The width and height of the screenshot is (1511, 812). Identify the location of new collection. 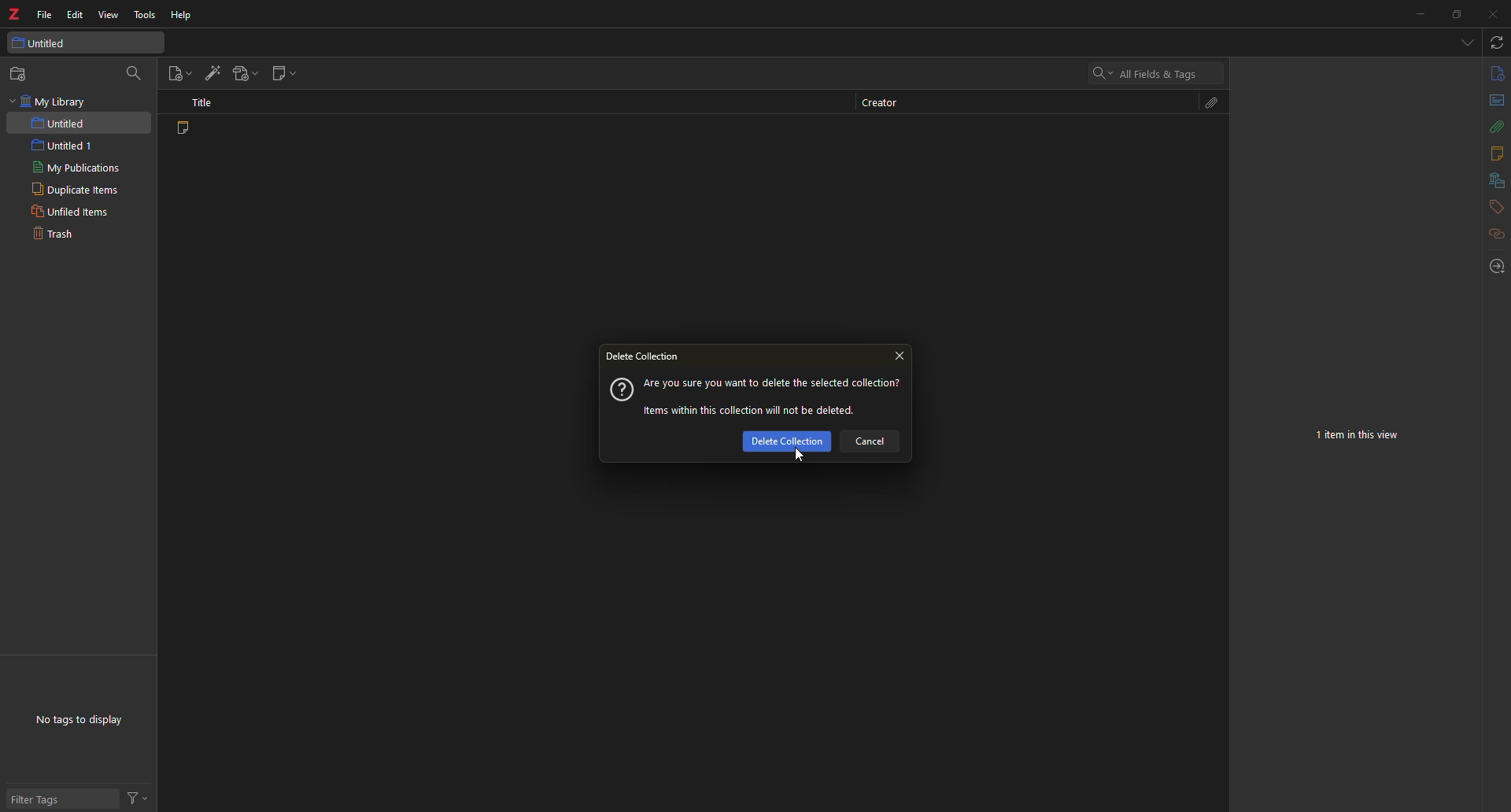
(21, 74).